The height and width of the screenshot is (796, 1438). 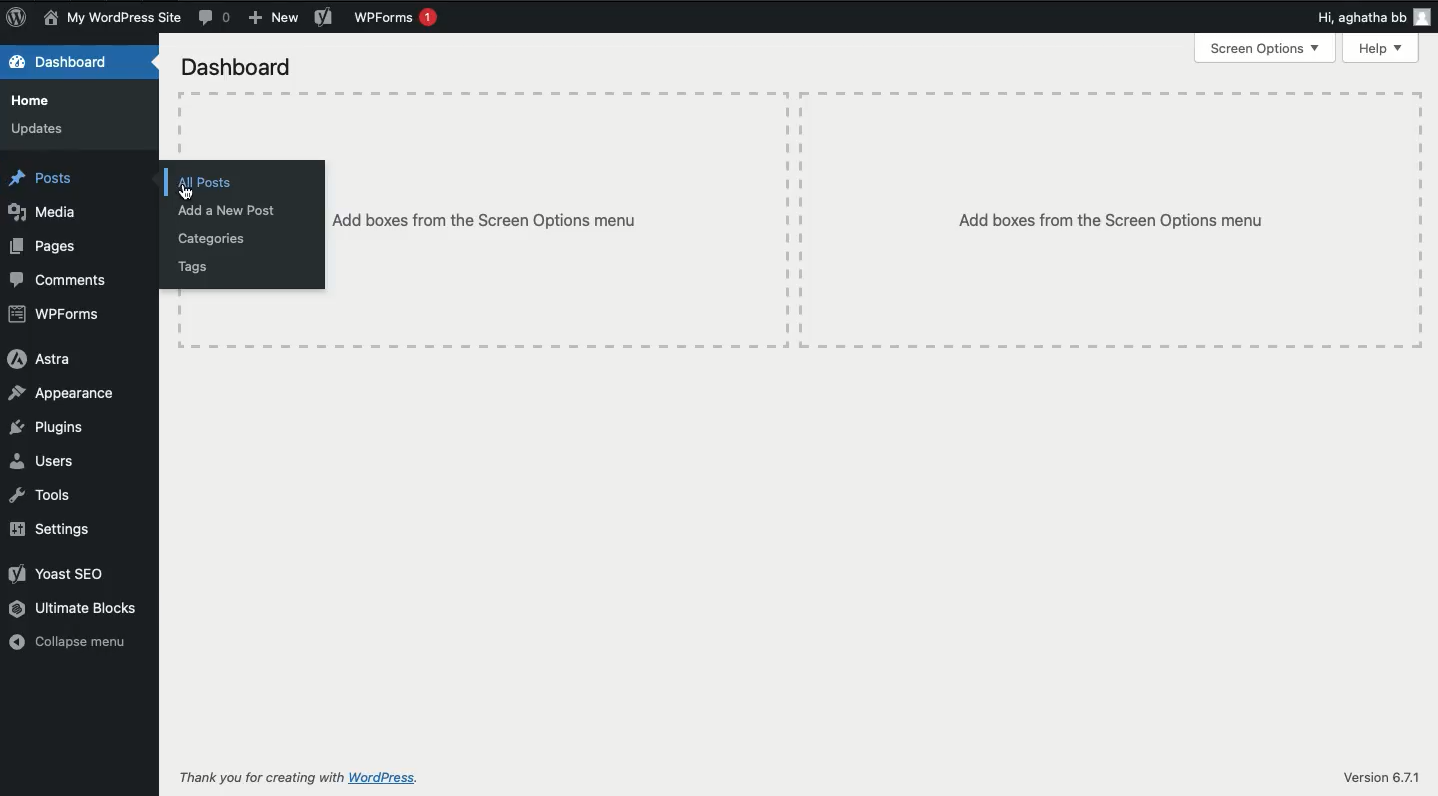 I want to click on New, so click(x=274, y=17).